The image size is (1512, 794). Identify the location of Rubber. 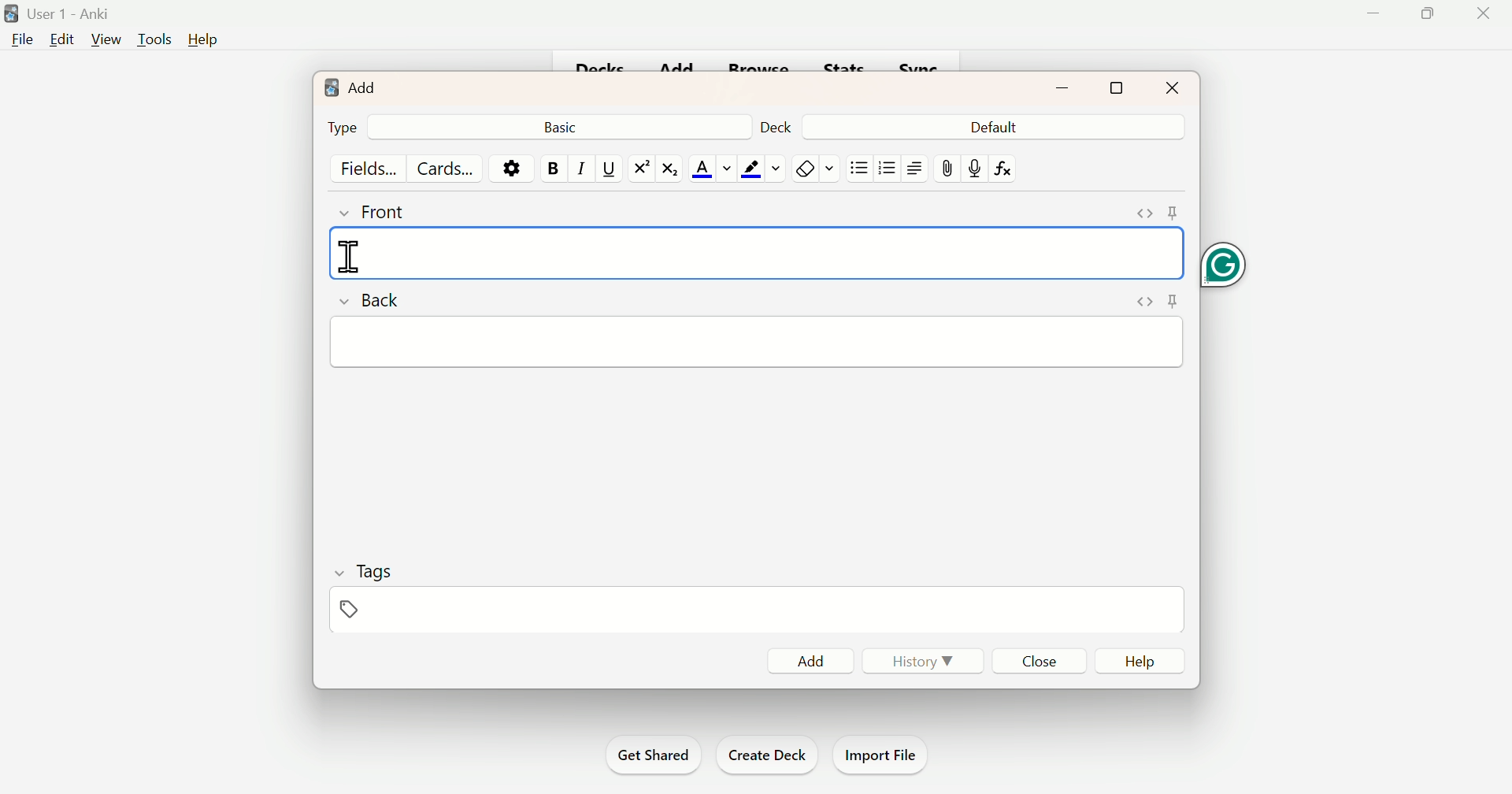
(816, 167).